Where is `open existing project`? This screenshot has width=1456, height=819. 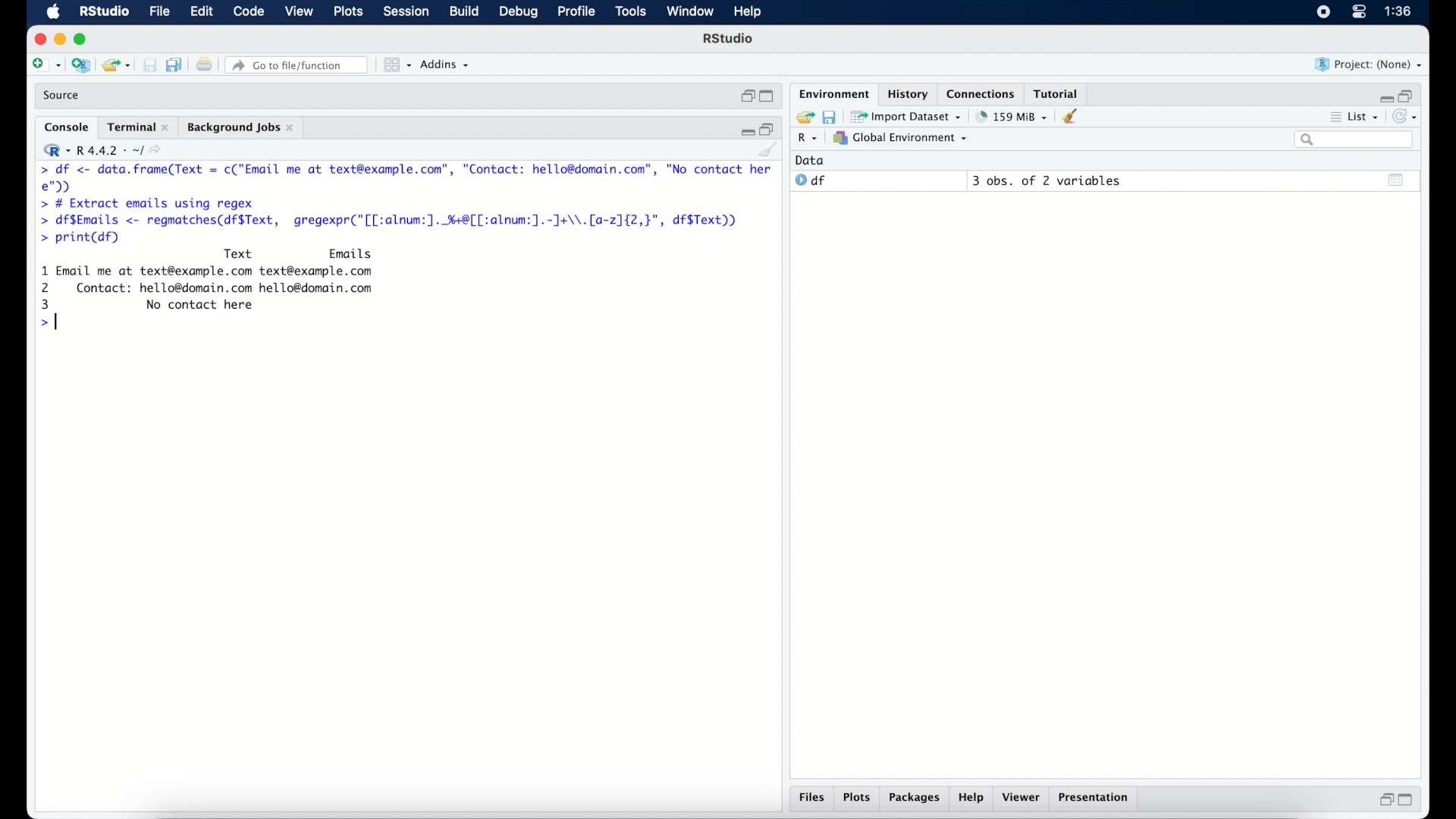
open existing project is located at coordinates (115, 64).